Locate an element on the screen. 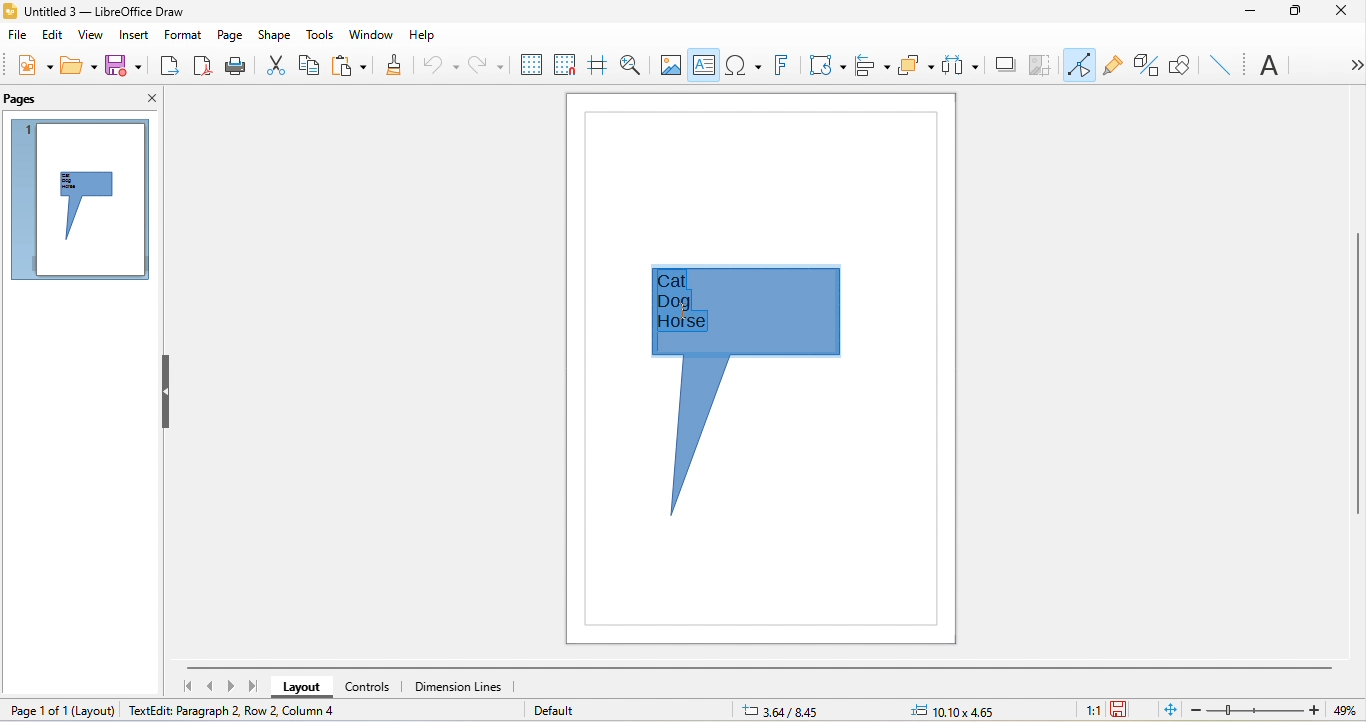 The width and height of the screenshot is (1366, 722). undo is located at coordinates (438, 63).